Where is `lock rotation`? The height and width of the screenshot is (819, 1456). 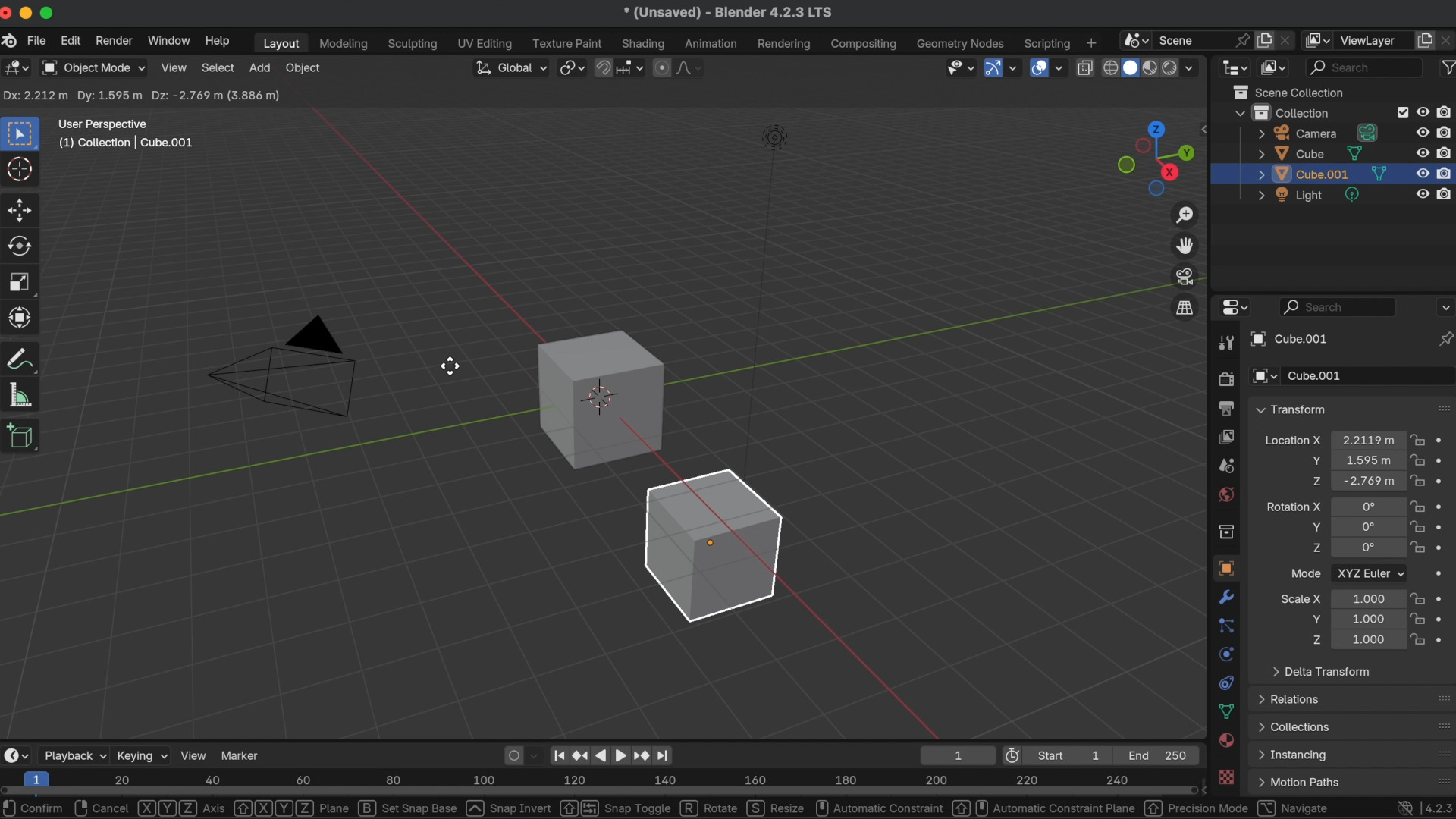
lock rotation is located at coordinates (1420, 549).